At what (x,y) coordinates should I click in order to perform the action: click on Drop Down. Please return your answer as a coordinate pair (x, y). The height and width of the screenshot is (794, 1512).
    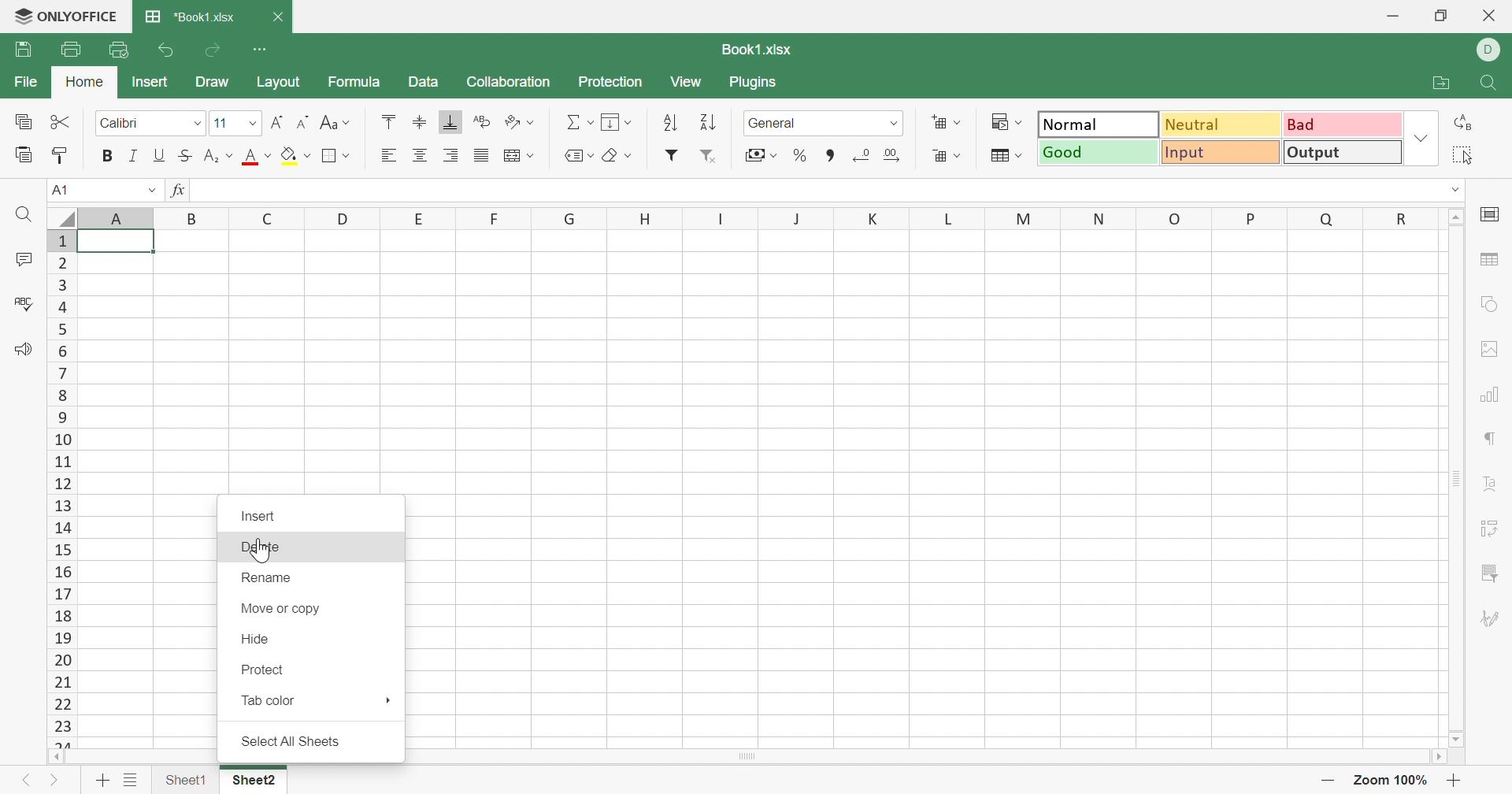
    Looking at the image, I should click on (591, 123).